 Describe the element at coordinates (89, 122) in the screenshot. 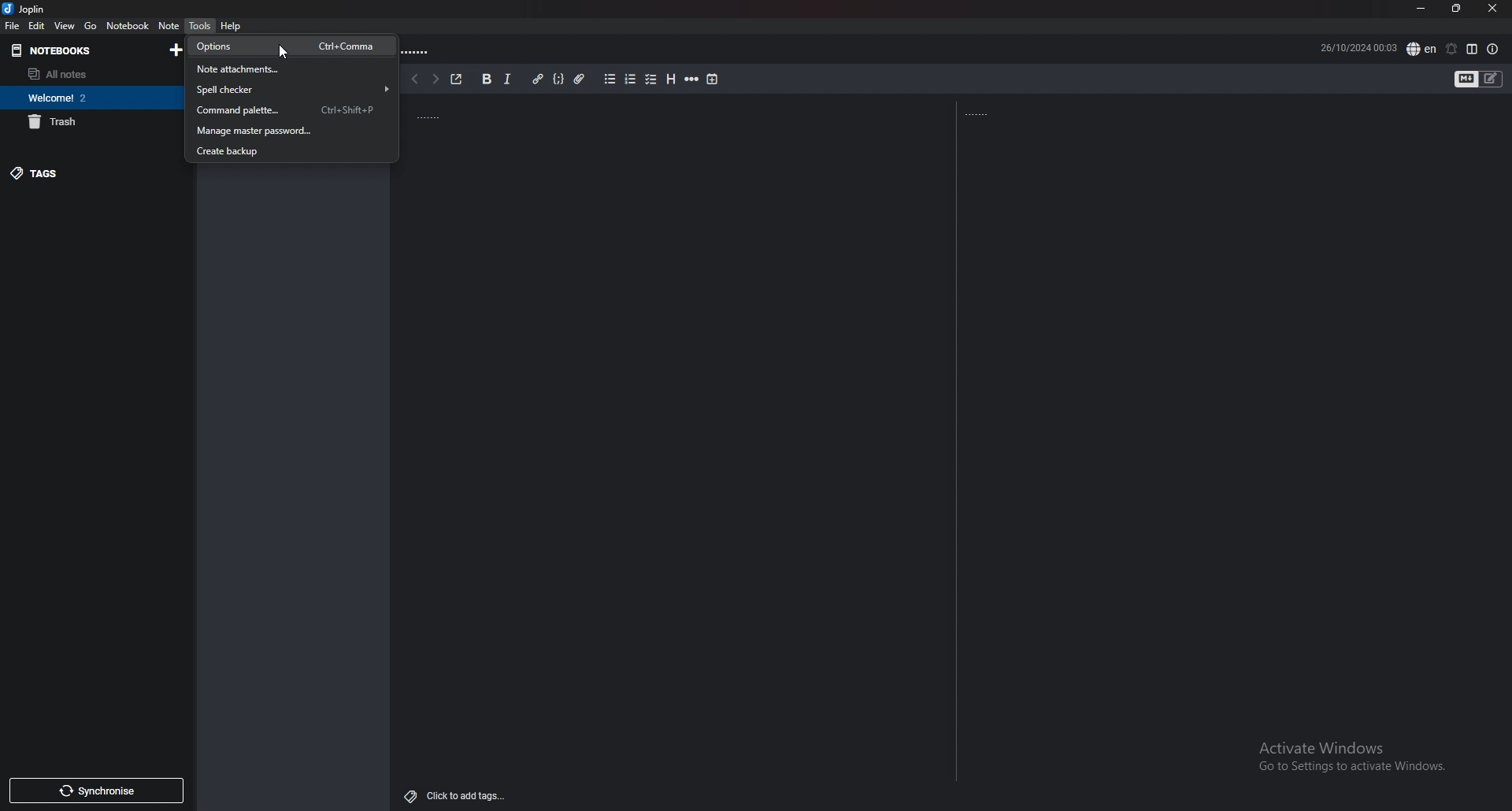

I see `trash` at that location.